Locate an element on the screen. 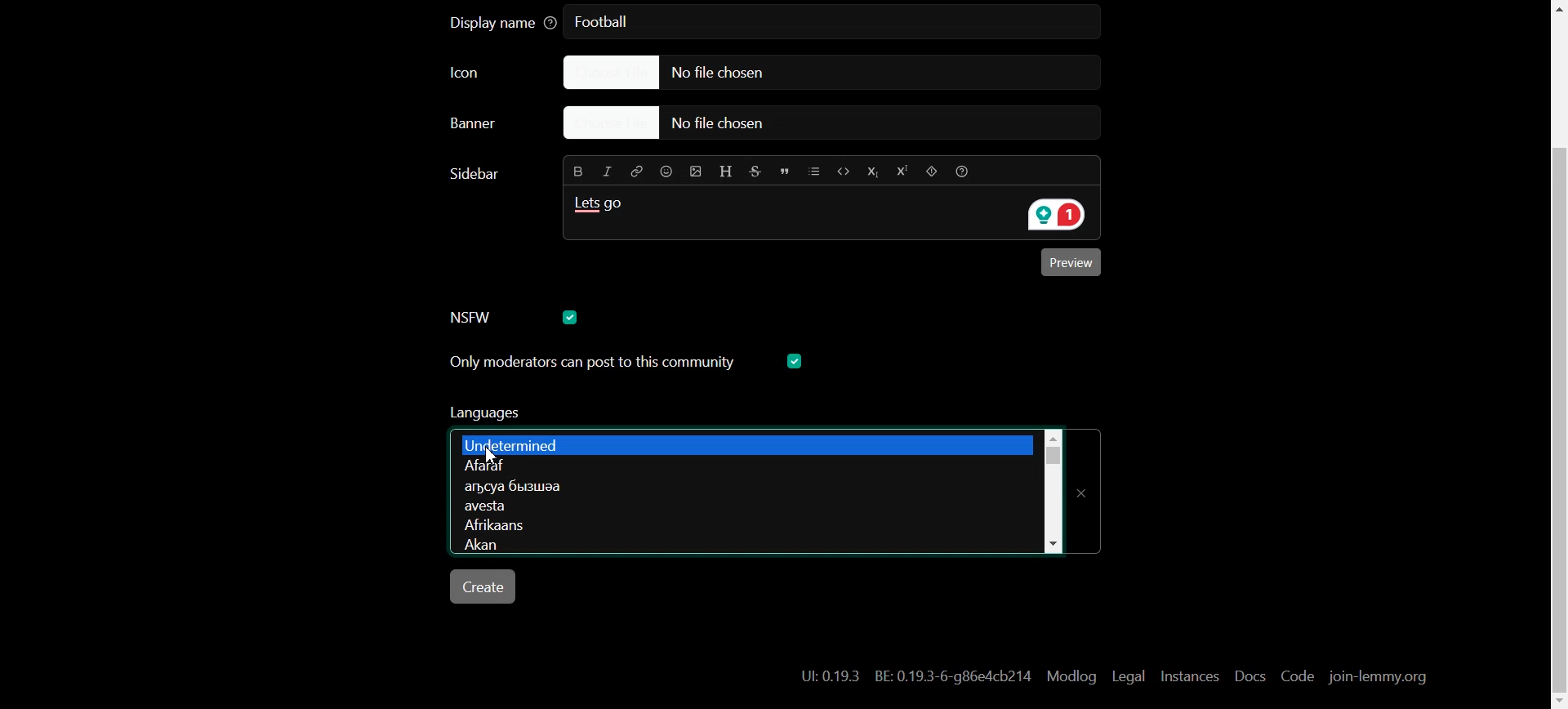 Image resolution: width=1568 pixels, height=709 pixels. Bold is located at coordinates (576, 171).